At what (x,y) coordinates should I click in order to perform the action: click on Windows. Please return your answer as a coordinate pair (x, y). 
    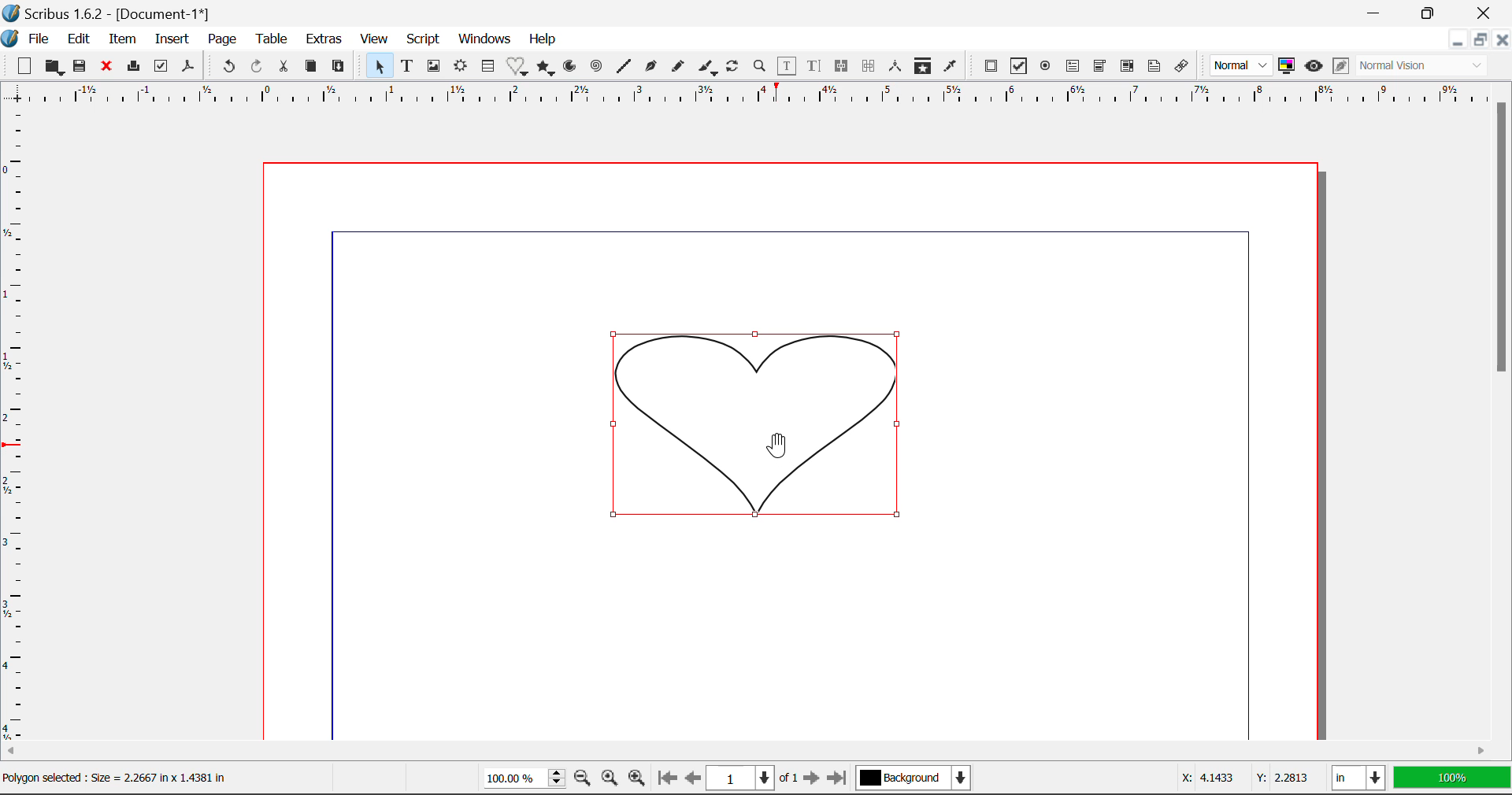
    Looking at the image, I should click on (485, 39).